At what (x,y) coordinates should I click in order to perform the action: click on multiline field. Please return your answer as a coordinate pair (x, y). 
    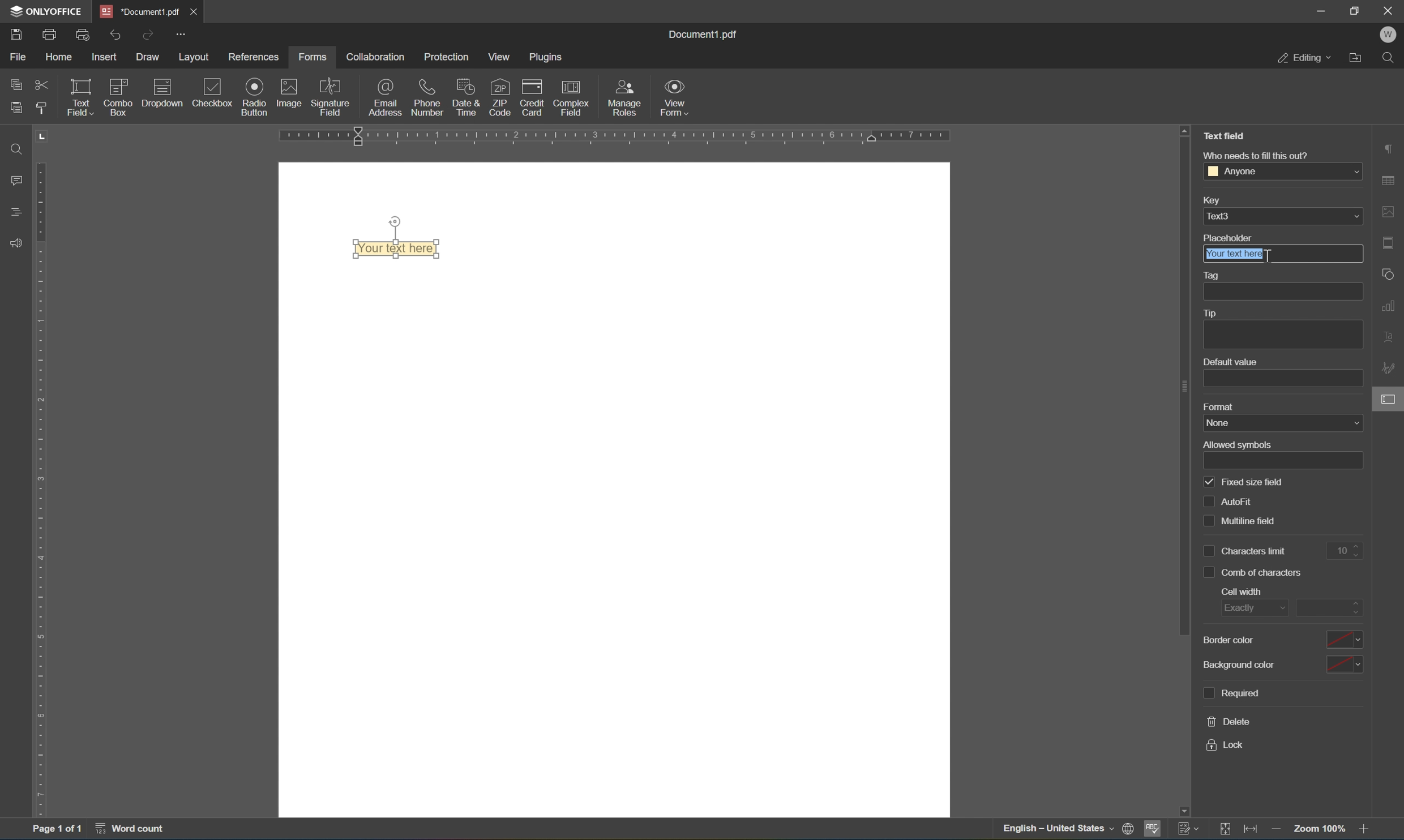
    Looking at the image, I should click on (1238, 521).